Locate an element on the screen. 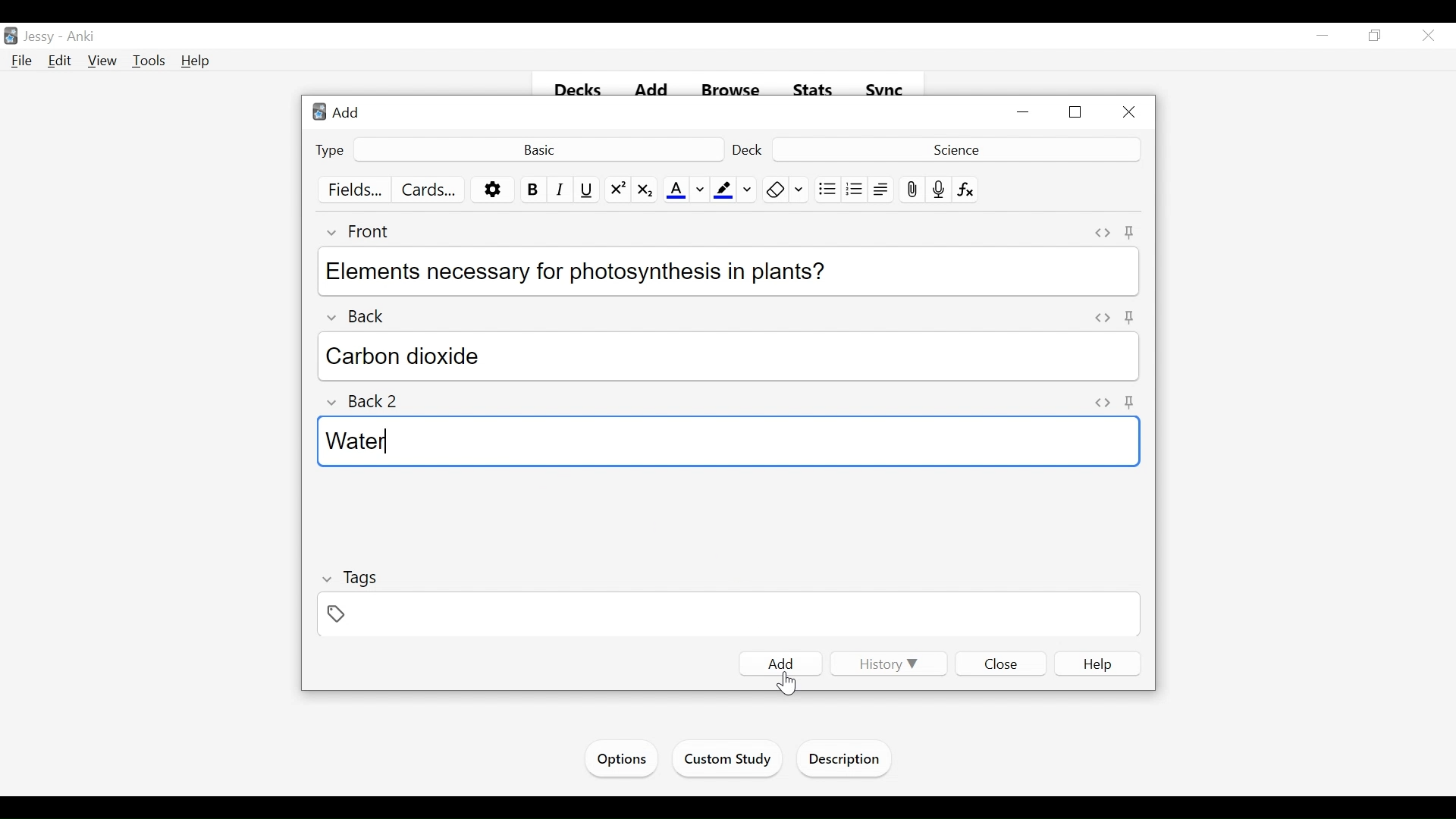 This screenshot has height=819, width=1456. Toggle Sticky is located at coordinates (1131, 402).